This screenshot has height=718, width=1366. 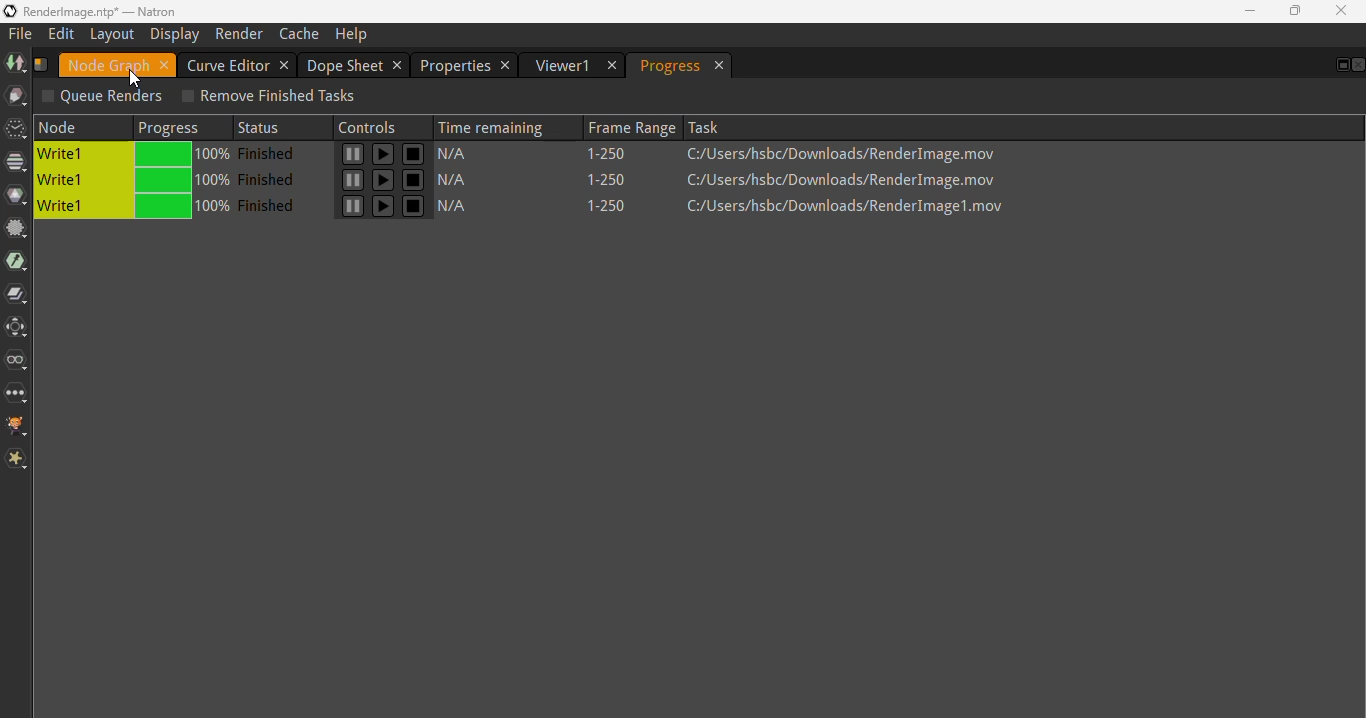 What do you see at coordinates (79, 208) in the screenshot?
I see `write 1` at bounding box center [79, 208].